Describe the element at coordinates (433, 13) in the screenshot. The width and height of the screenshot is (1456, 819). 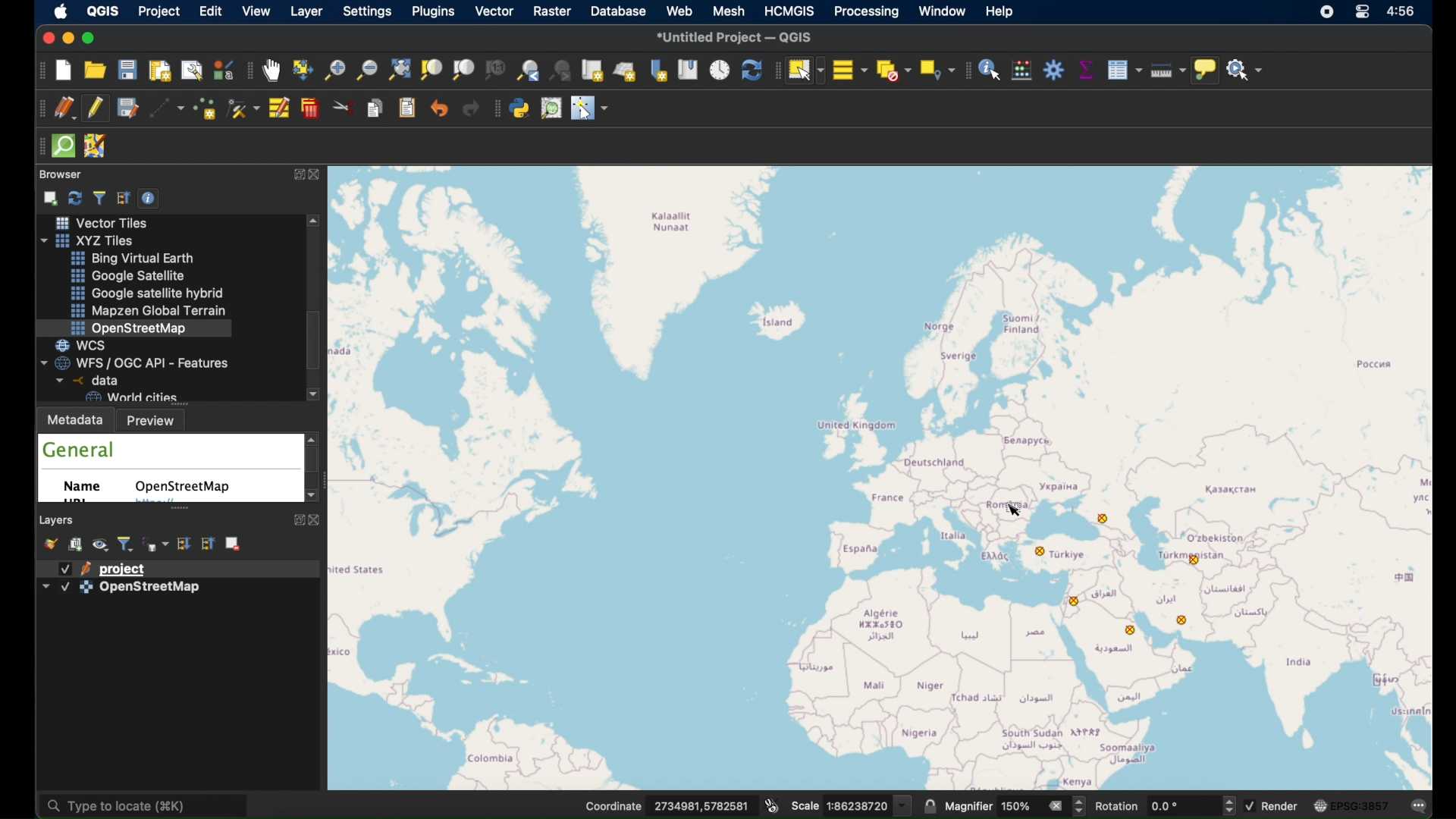
I see `plugins` at that location.